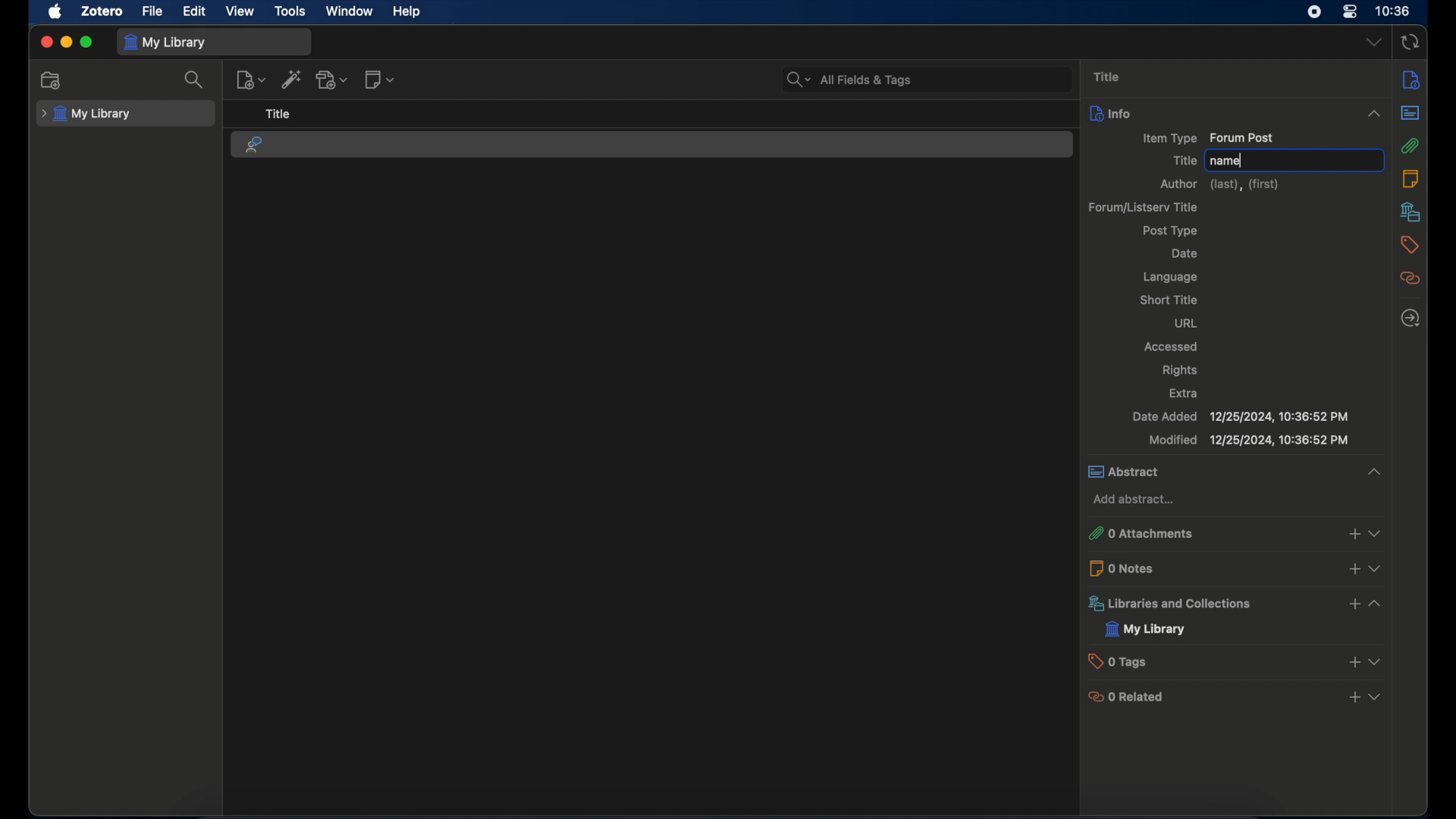 Image resolution: width=1456 pixels, height=819 pixels. Describe the element at coordinates (1410, 245) in the screenshot. I see `tags` at that location.